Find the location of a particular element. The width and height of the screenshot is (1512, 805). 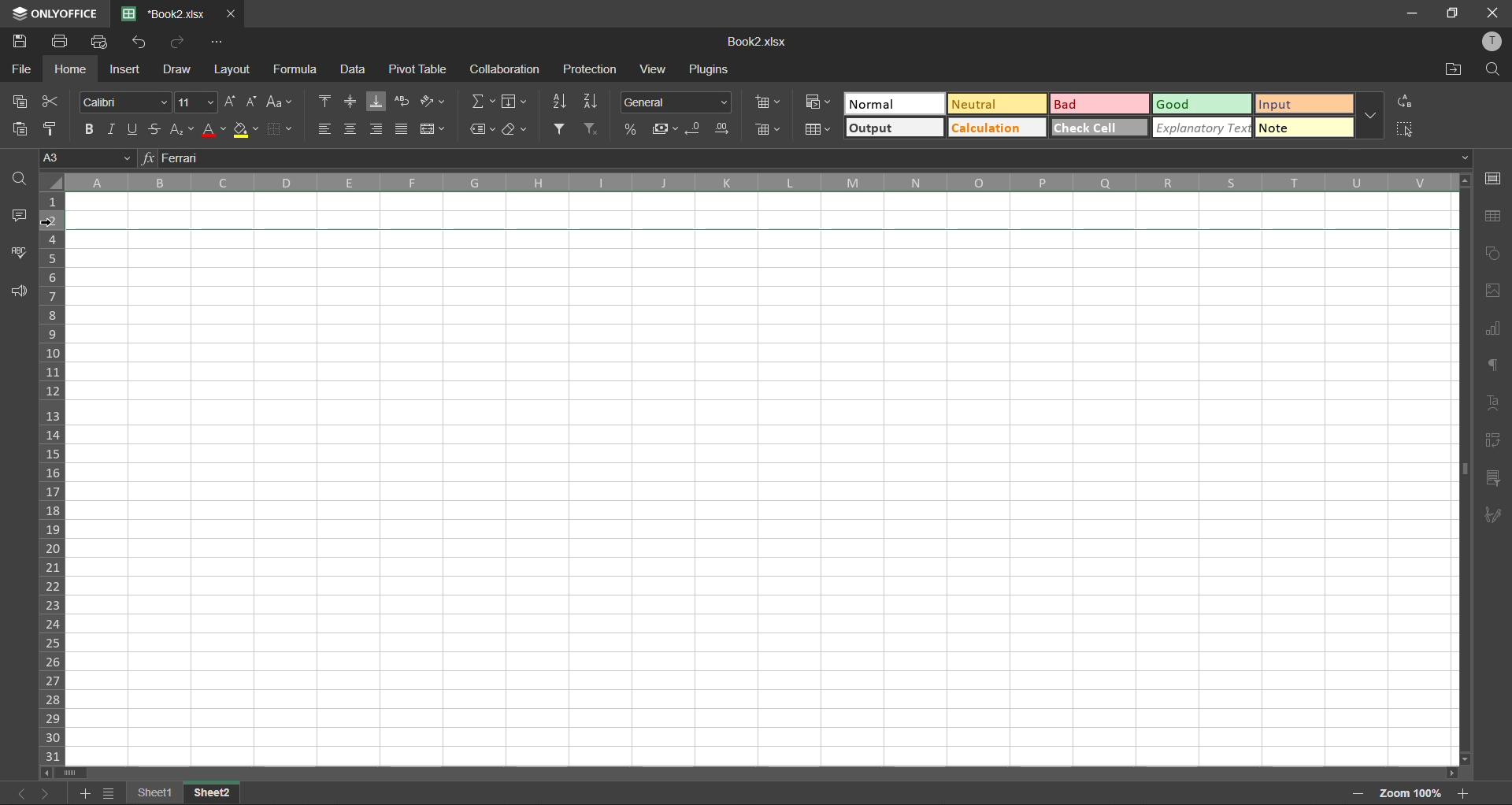

font color is located at coordinates (210, 129).